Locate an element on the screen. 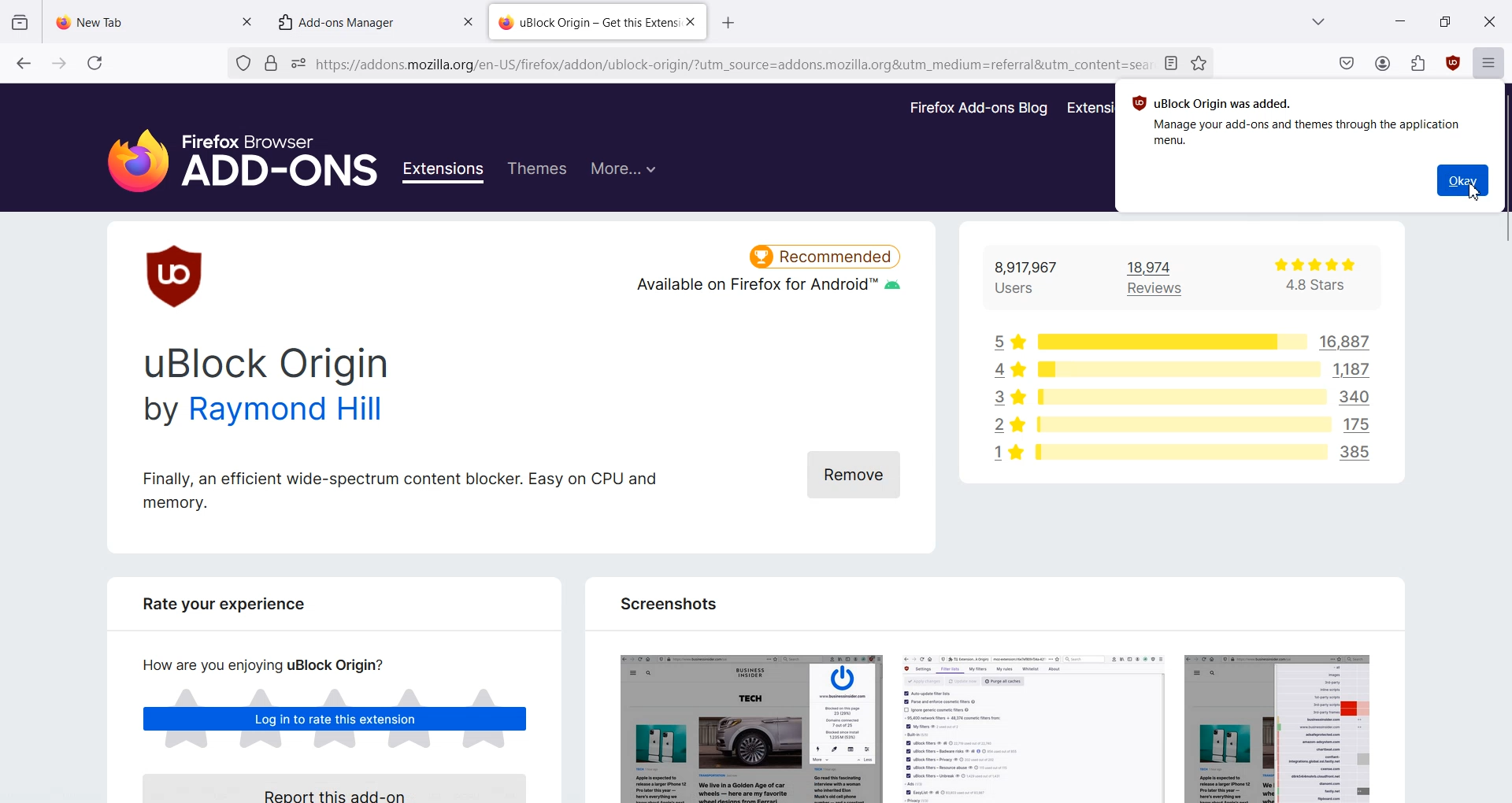 The image size is (1512, 803). 4.8 Stars rating is located at coordinates (1304, 278).